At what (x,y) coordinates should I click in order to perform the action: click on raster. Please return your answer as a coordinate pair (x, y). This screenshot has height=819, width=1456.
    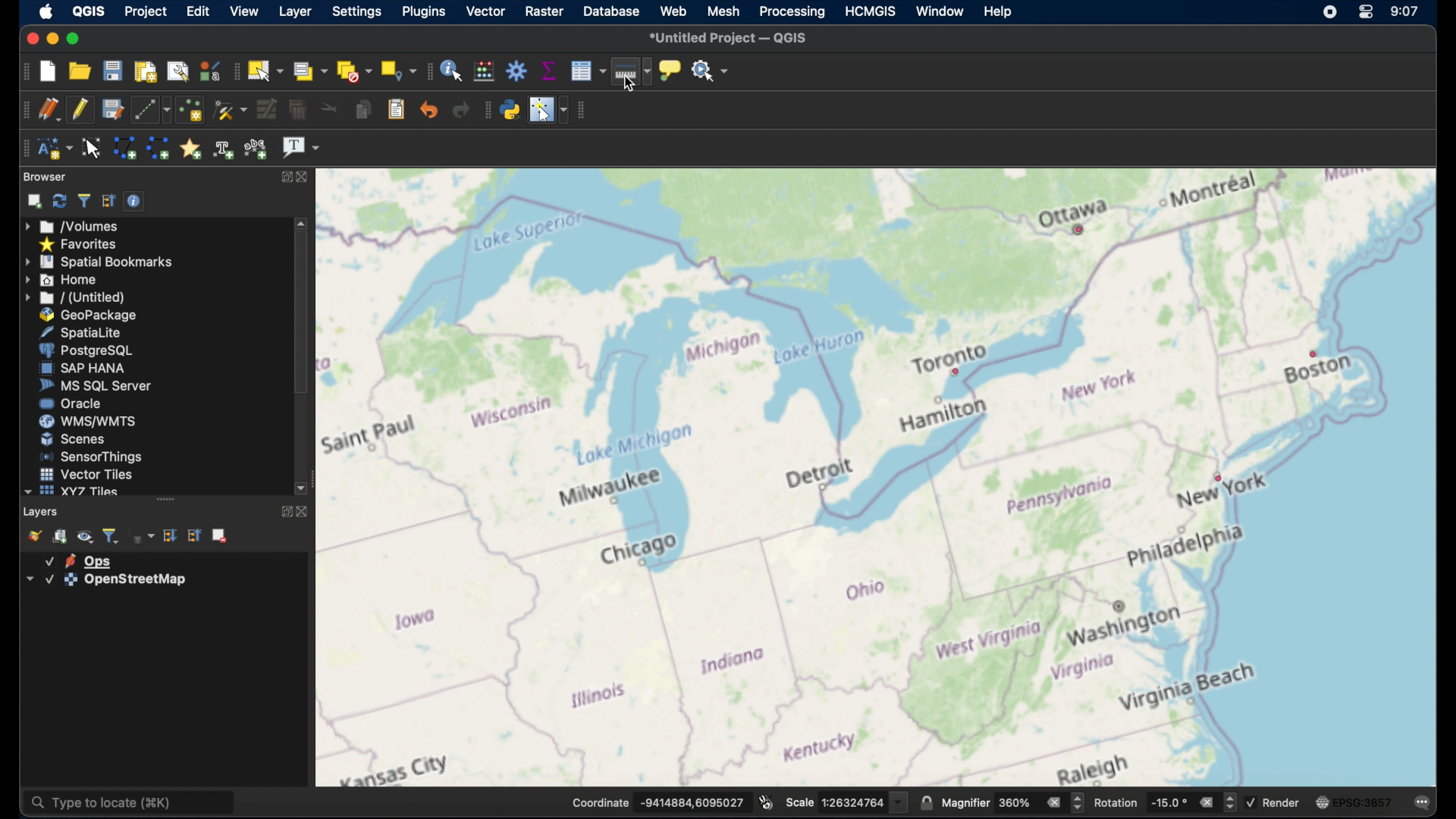
    Looking at the image, I should click on (543, 11).